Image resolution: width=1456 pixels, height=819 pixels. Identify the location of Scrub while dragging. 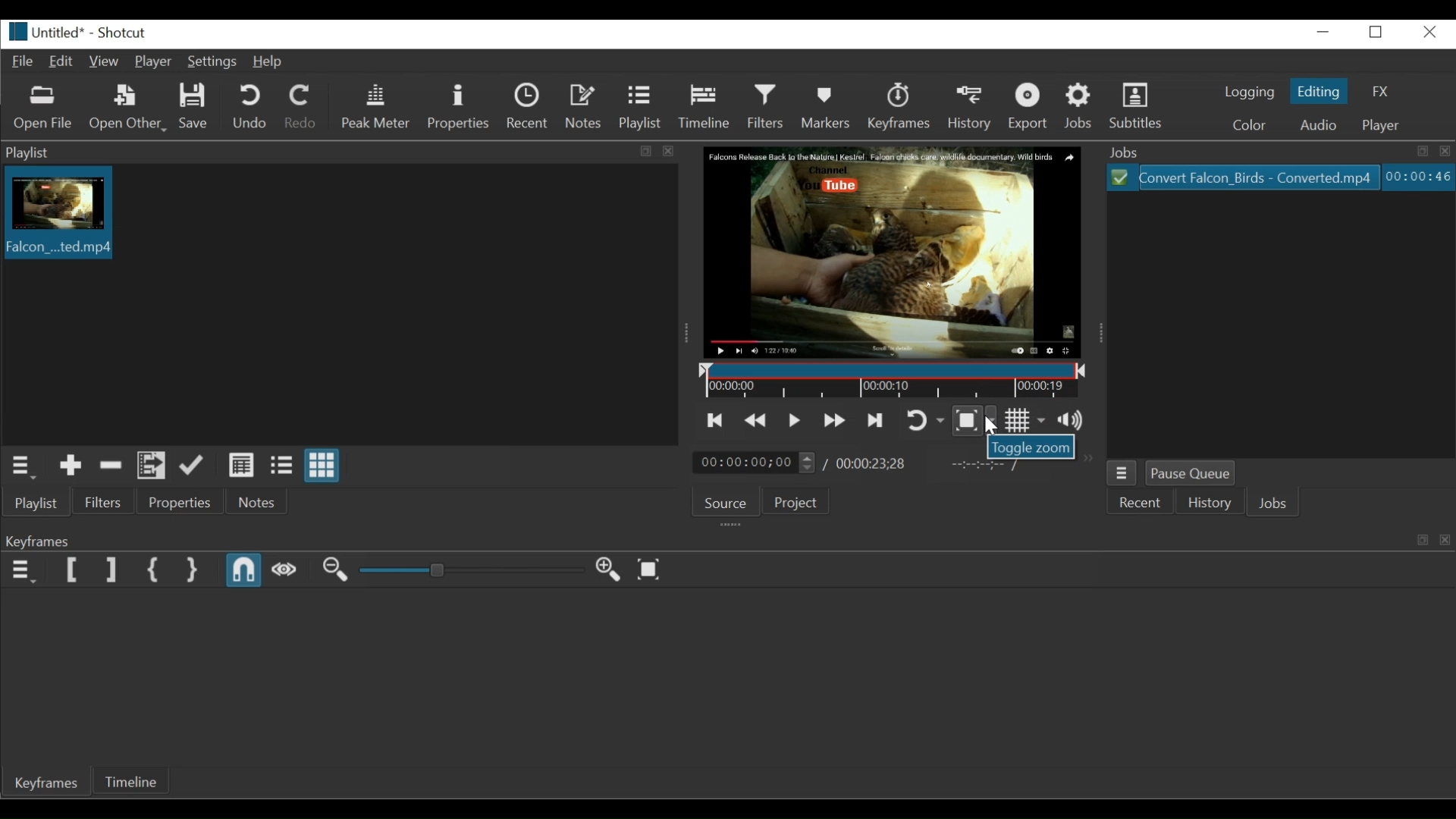
(284, 571).